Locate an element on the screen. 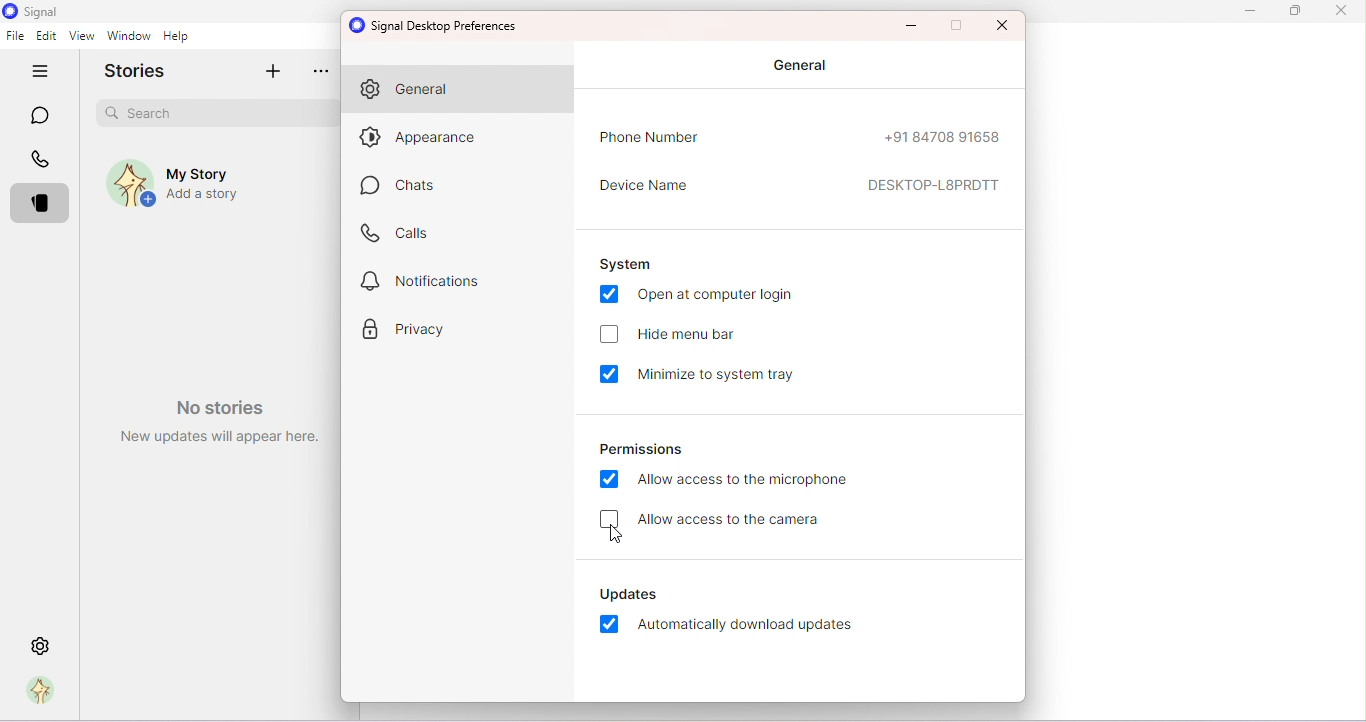 This screenshot has width=1366, height=722. Calls is located at coordinates (44, 164).